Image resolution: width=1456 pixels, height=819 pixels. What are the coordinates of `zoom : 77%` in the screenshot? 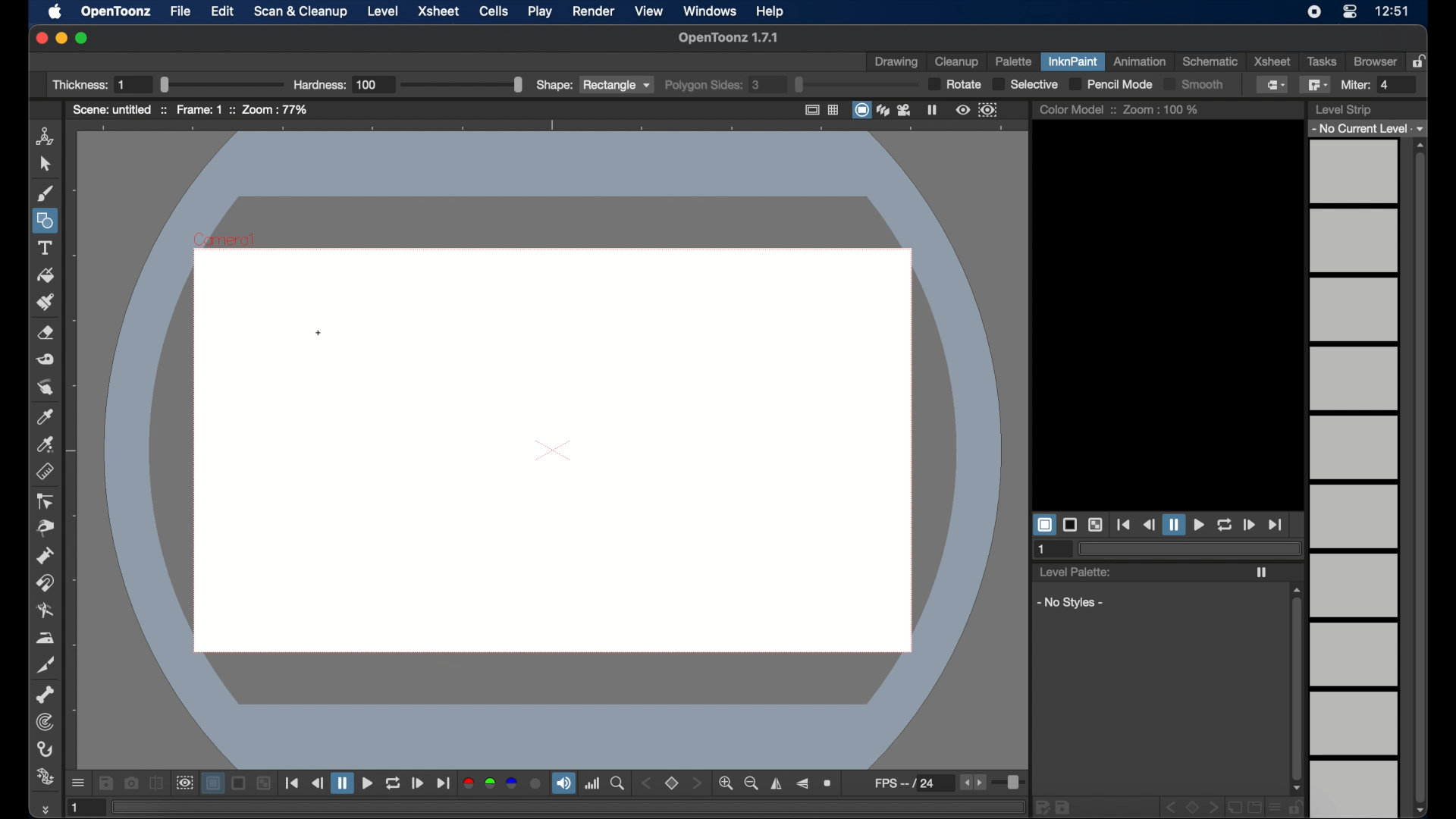 It's located at (276, 109).